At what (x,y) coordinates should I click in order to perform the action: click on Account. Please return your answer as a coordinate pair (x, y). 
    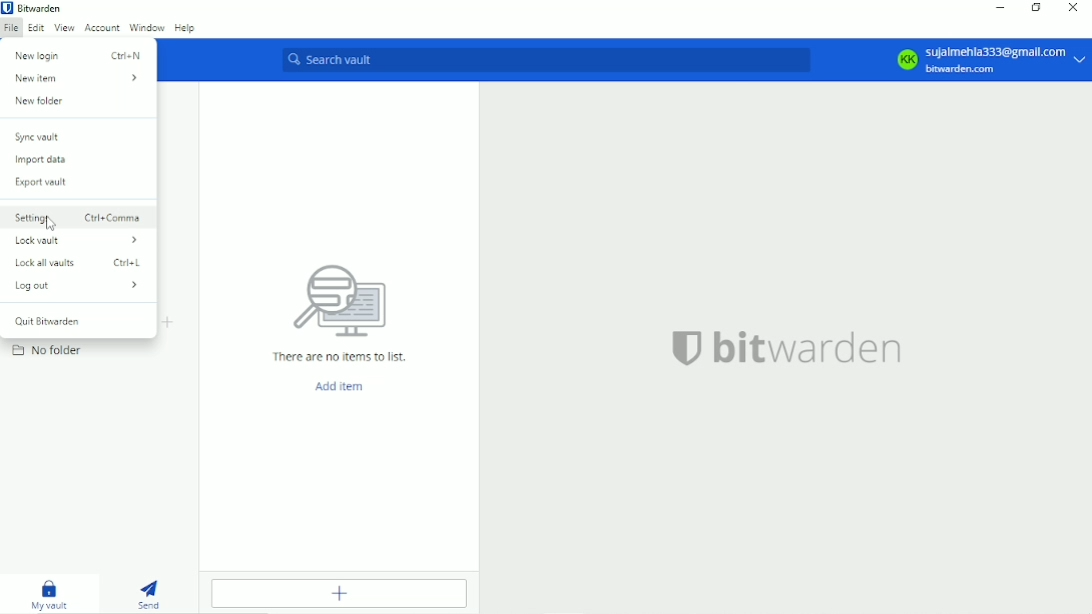
    Looking at the image, I should click on (102, 29).